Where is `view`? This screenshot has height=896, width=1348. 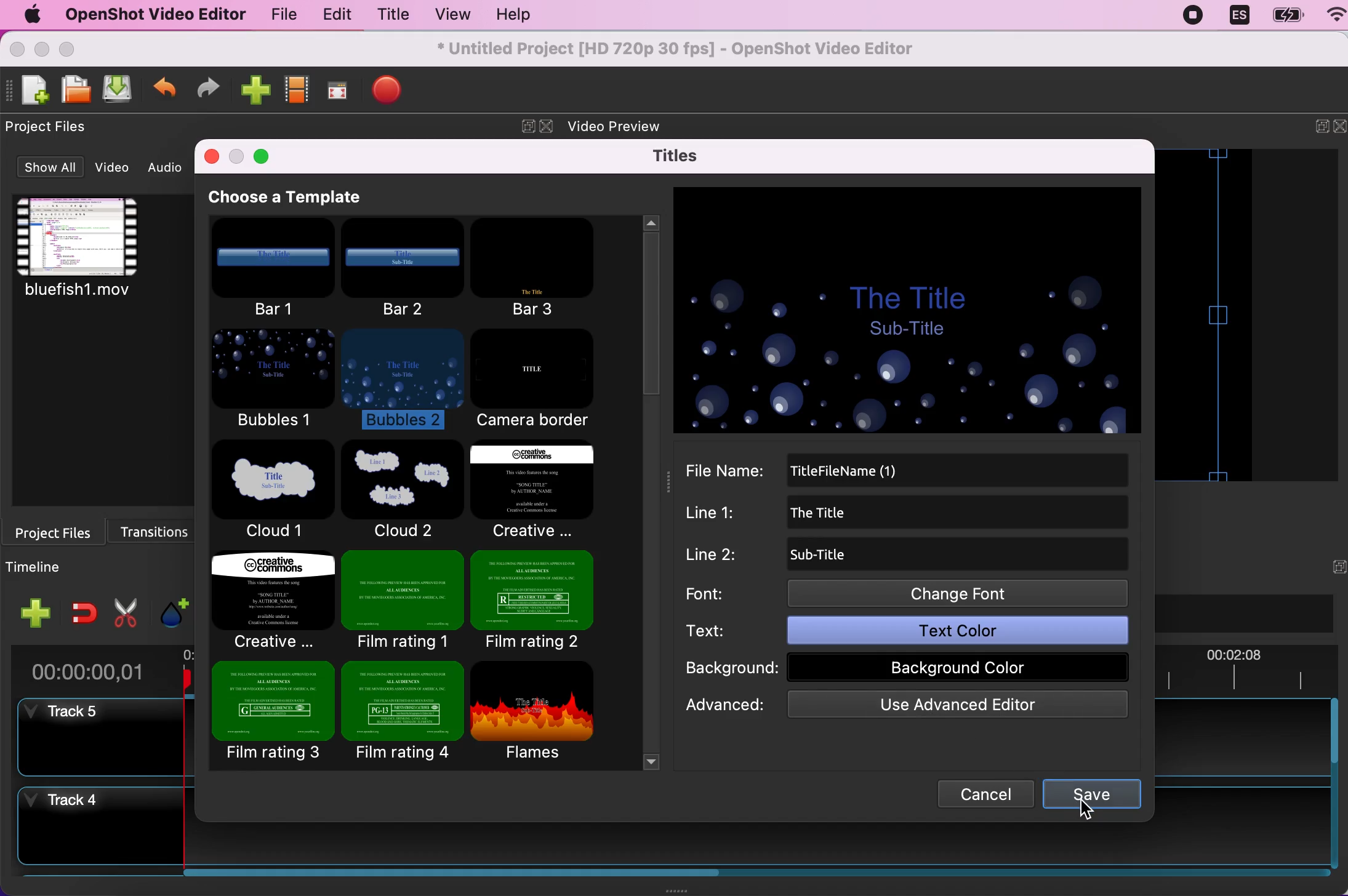
view is located at coordinates (448, 15).